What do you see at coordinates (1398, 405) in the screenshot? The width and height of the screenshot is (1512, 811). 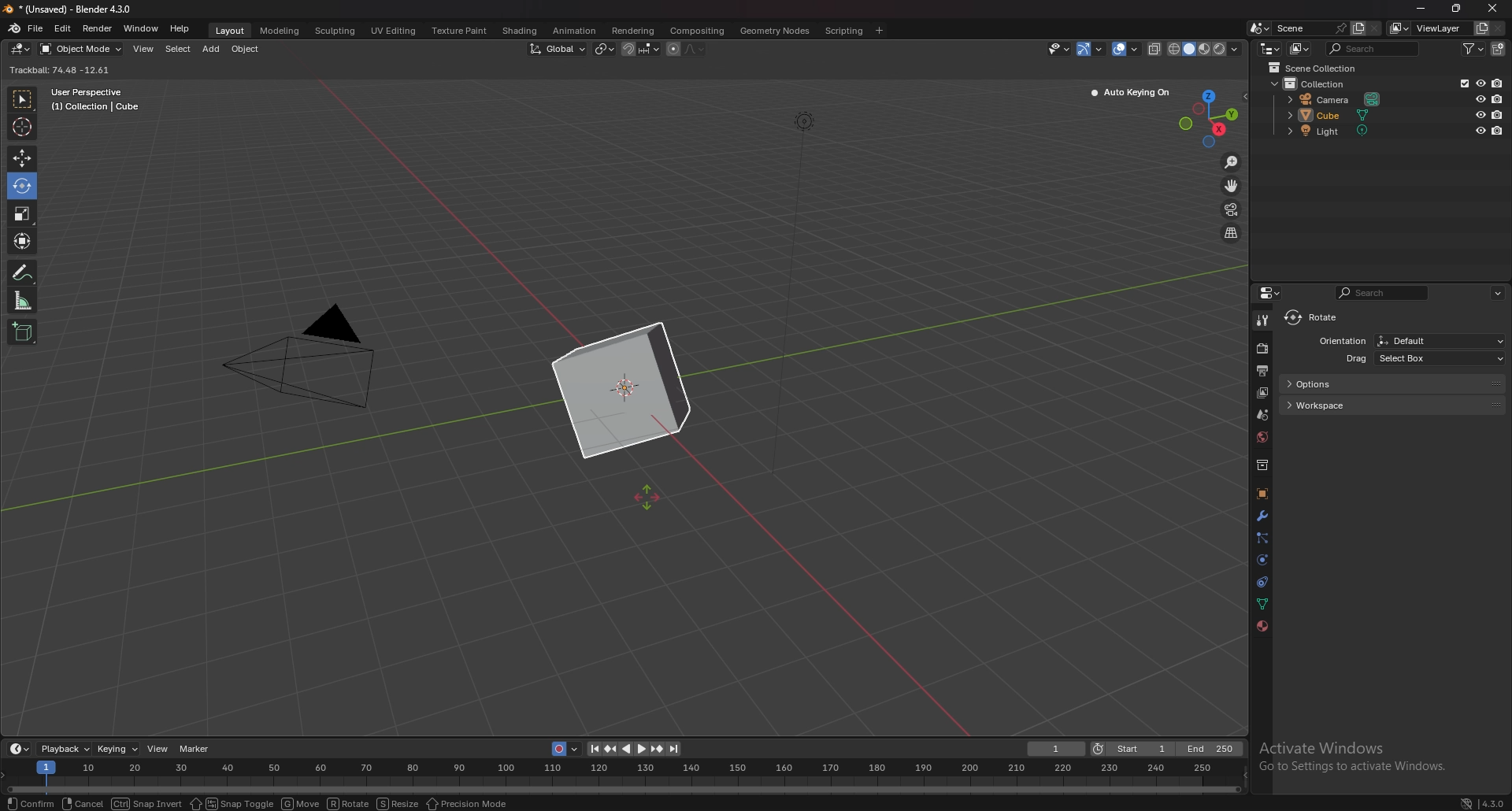 I see `workspace` at bounding box center [1398, 405].